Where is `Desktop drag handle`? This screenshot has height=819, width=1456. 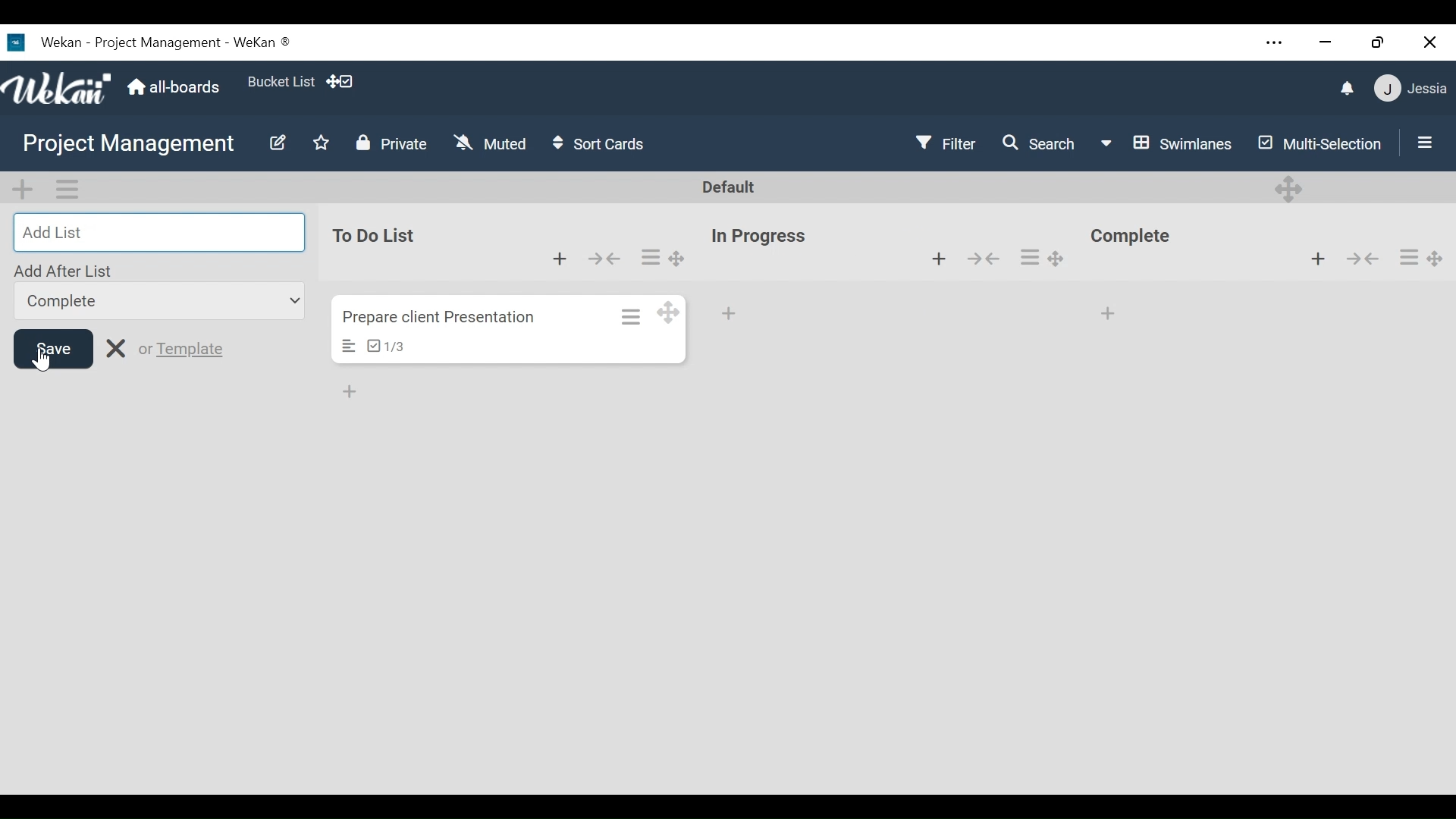
Desktop drag handle is located at coordinates (1436, 257).